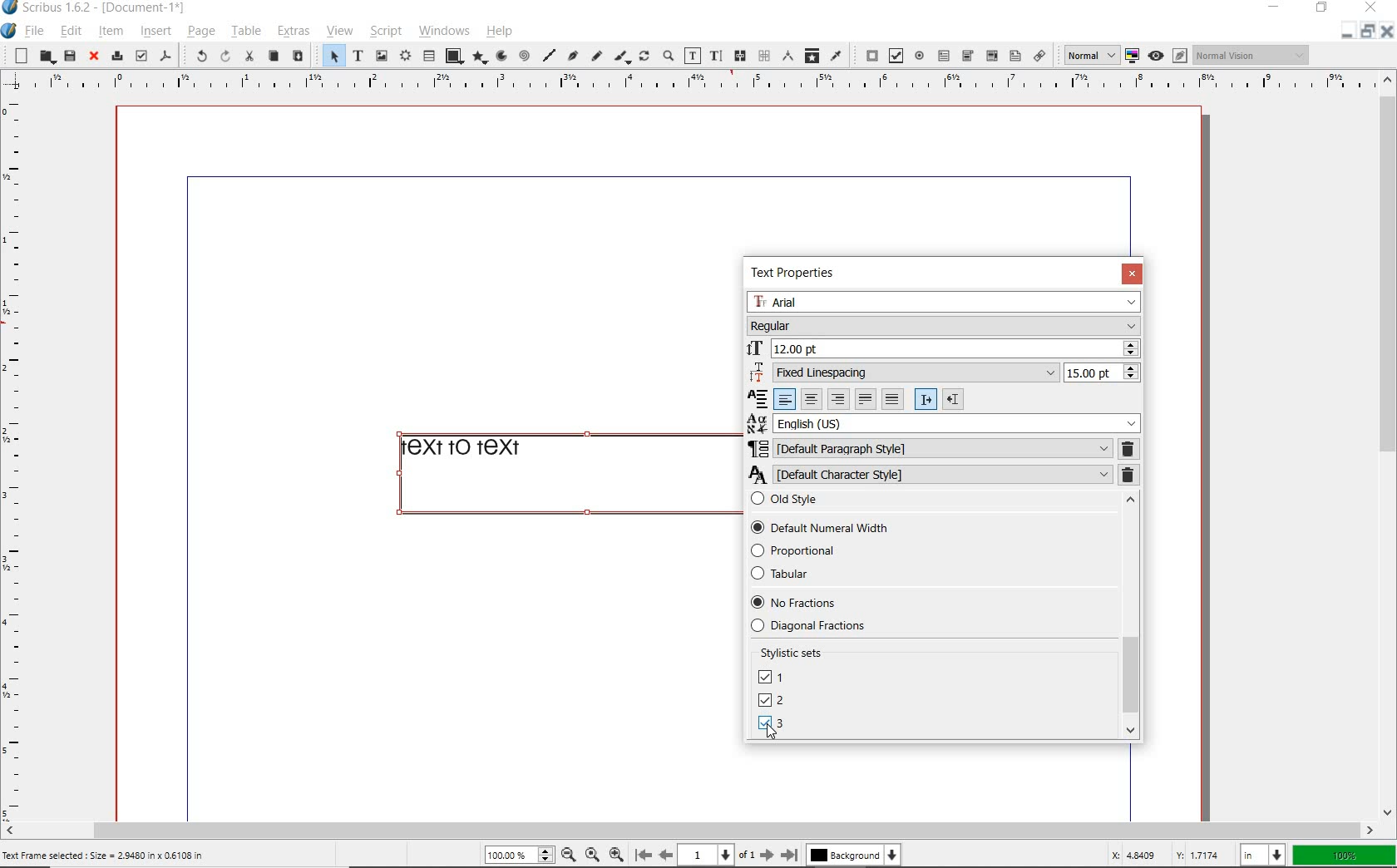 This screenshot has width=1397, height=868. Describe the element at coordinates (17, 55) in the screenshot. I see `new` at that location.